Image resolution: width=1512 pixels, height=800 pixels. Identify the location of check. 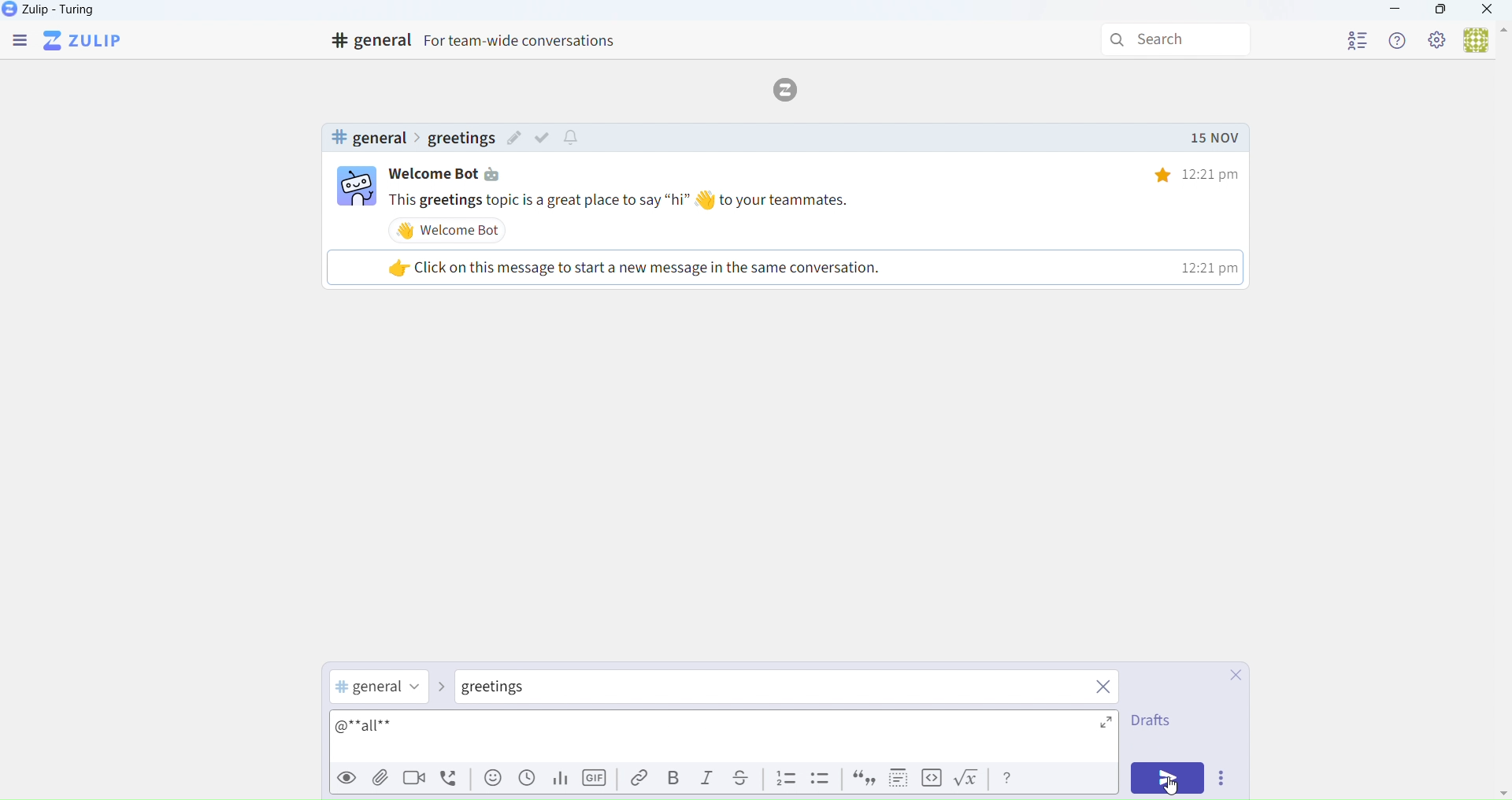
(546, 137).